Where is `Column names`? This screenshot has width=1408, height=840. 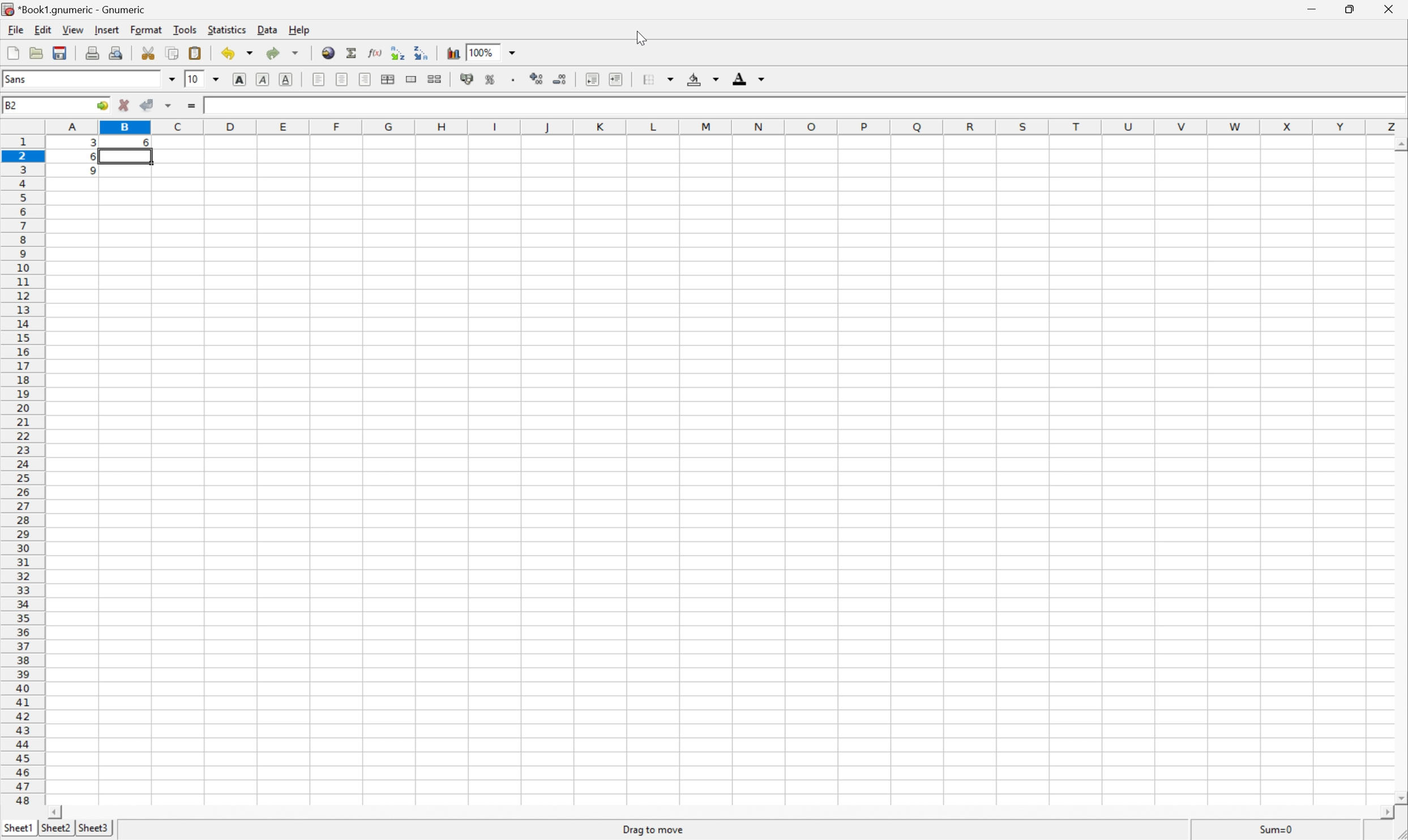 Column names is located at coordinates (722, 127).